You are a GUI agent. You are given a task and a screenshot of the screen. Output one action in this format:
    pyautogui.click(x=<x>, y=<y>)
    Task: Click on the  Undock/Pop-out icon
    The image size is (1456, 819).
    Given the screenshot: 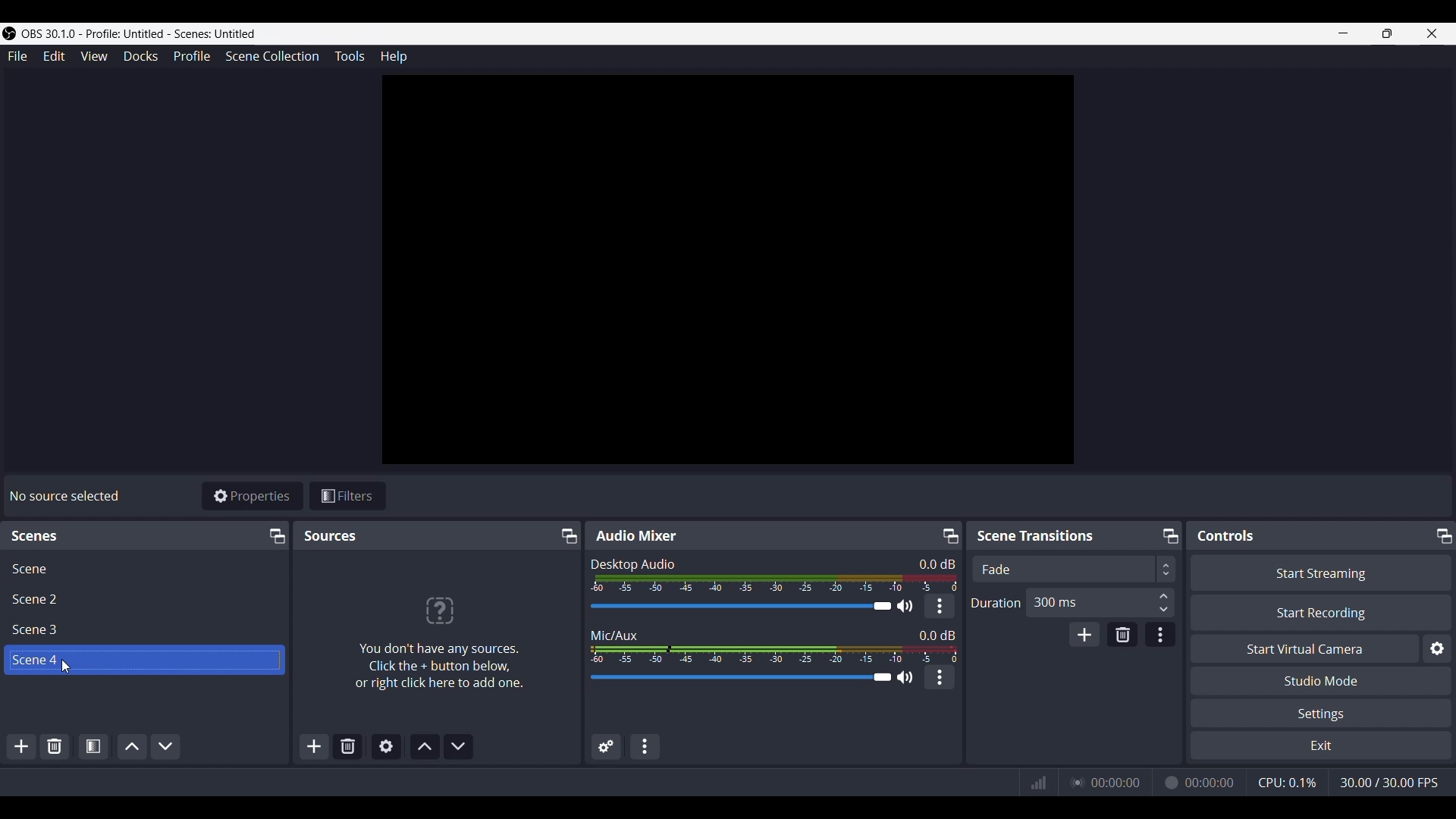 What is the action you would take?
    pyautogui.click(x=566, y=536)
    